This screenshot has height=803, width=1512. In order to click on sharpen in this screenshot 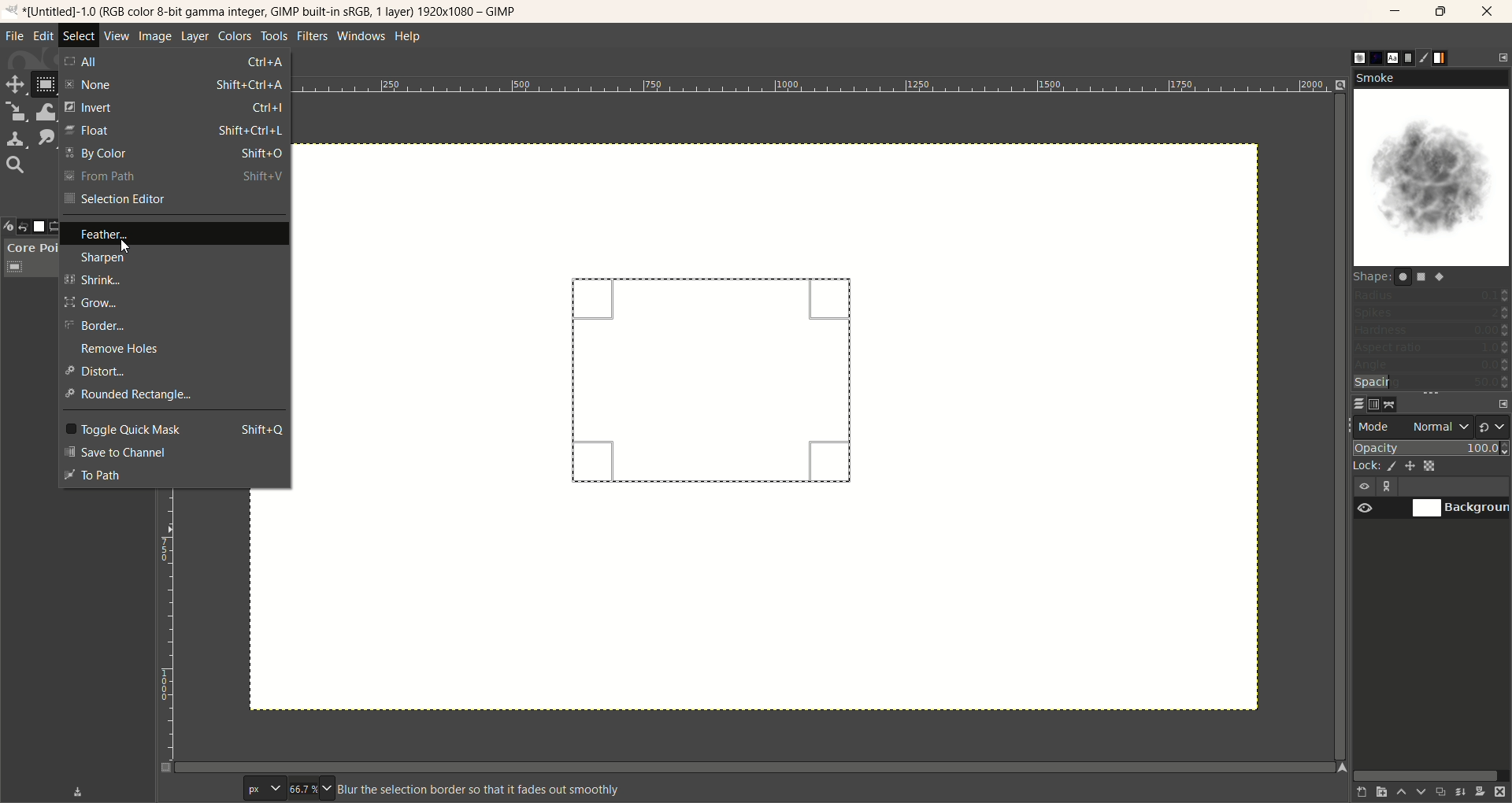, I will do `click(174, 257)`.